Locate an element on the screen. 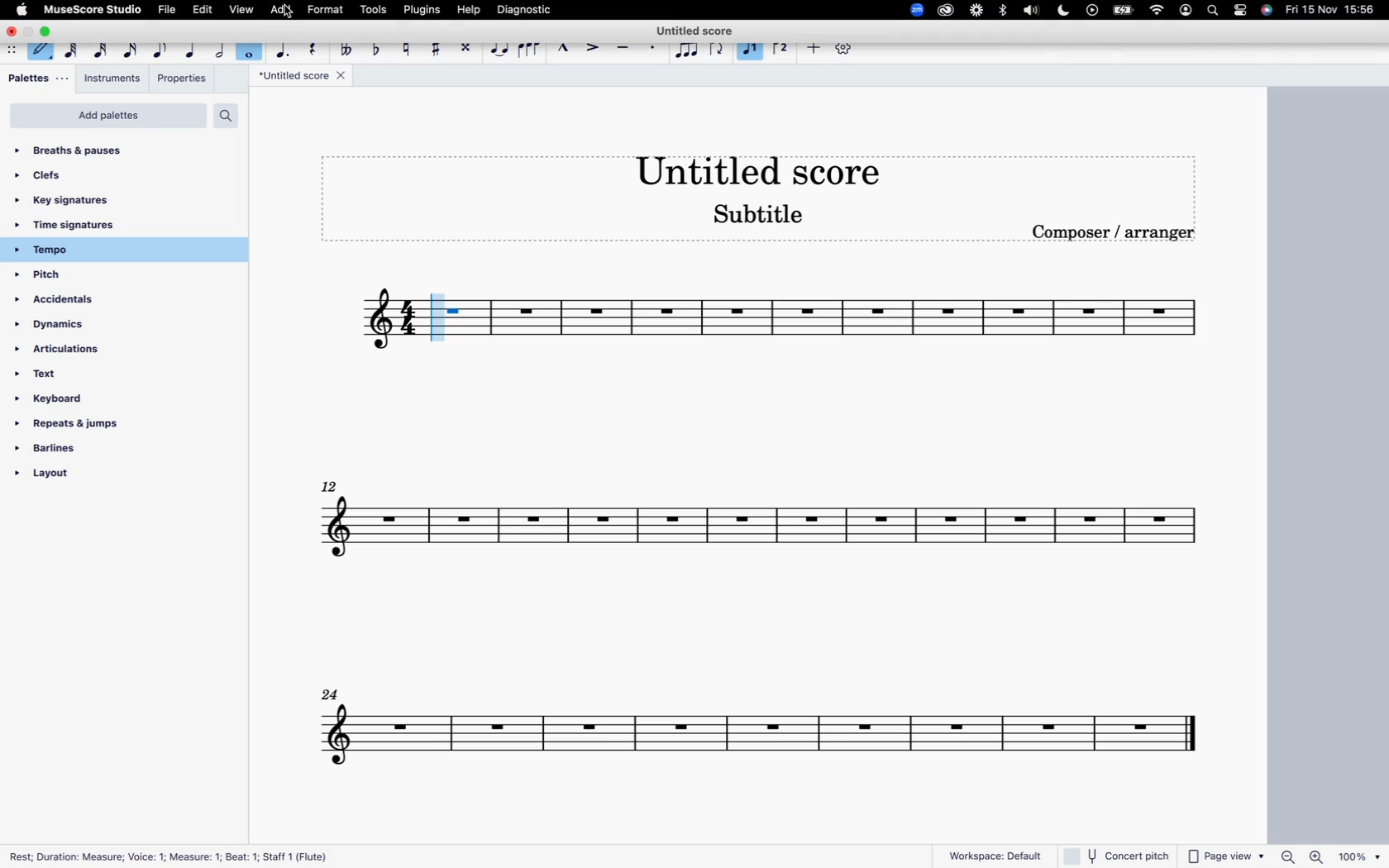  siri is located at coordinates (1267, 10).